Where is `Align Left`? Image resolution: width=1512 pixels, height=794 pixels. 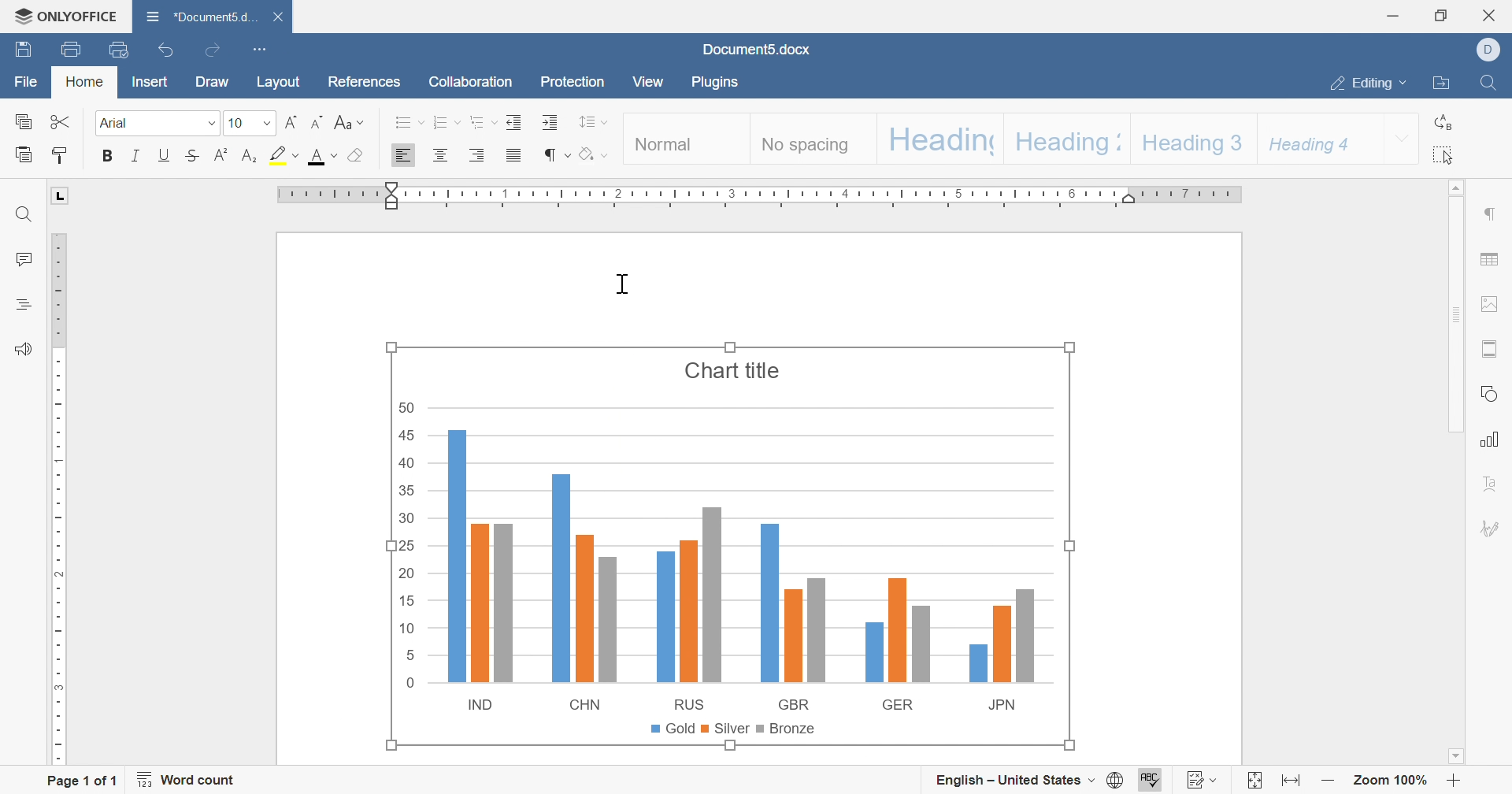 Align Left is located at coordinates (404, 155).